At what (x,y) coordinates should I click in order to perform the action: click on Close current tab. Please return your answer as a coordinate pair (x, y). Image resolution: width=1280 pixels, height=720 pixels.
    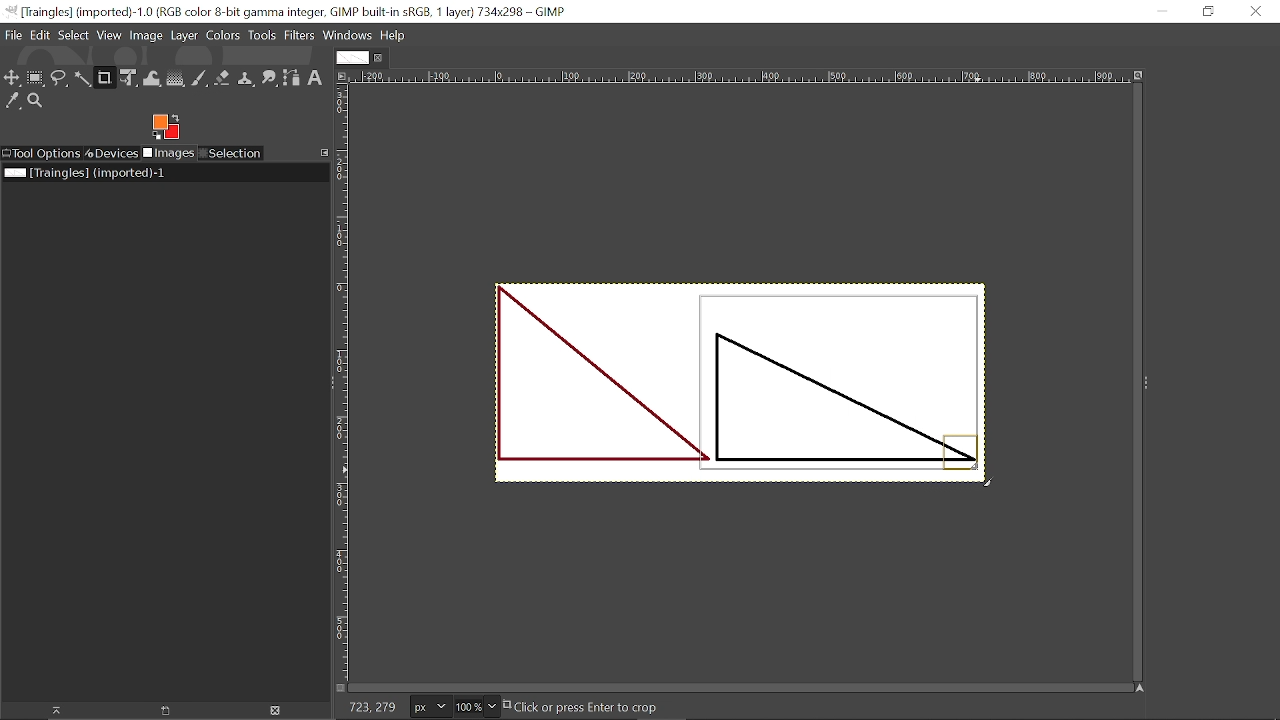
    Looking at the image, I should click on (379, 57).